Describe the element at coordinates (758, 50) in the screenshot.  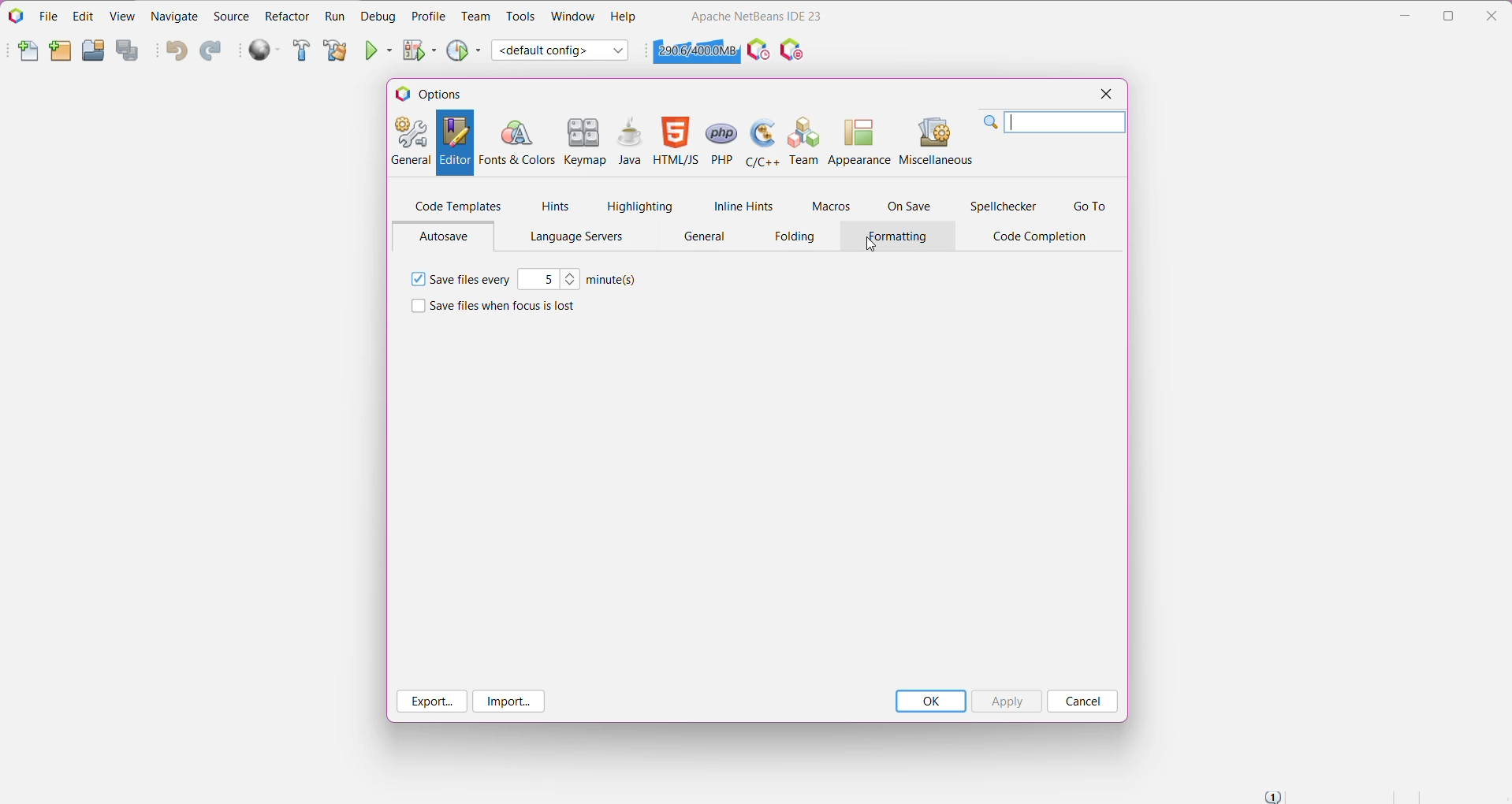
I see `Profile the IDE` at that location.